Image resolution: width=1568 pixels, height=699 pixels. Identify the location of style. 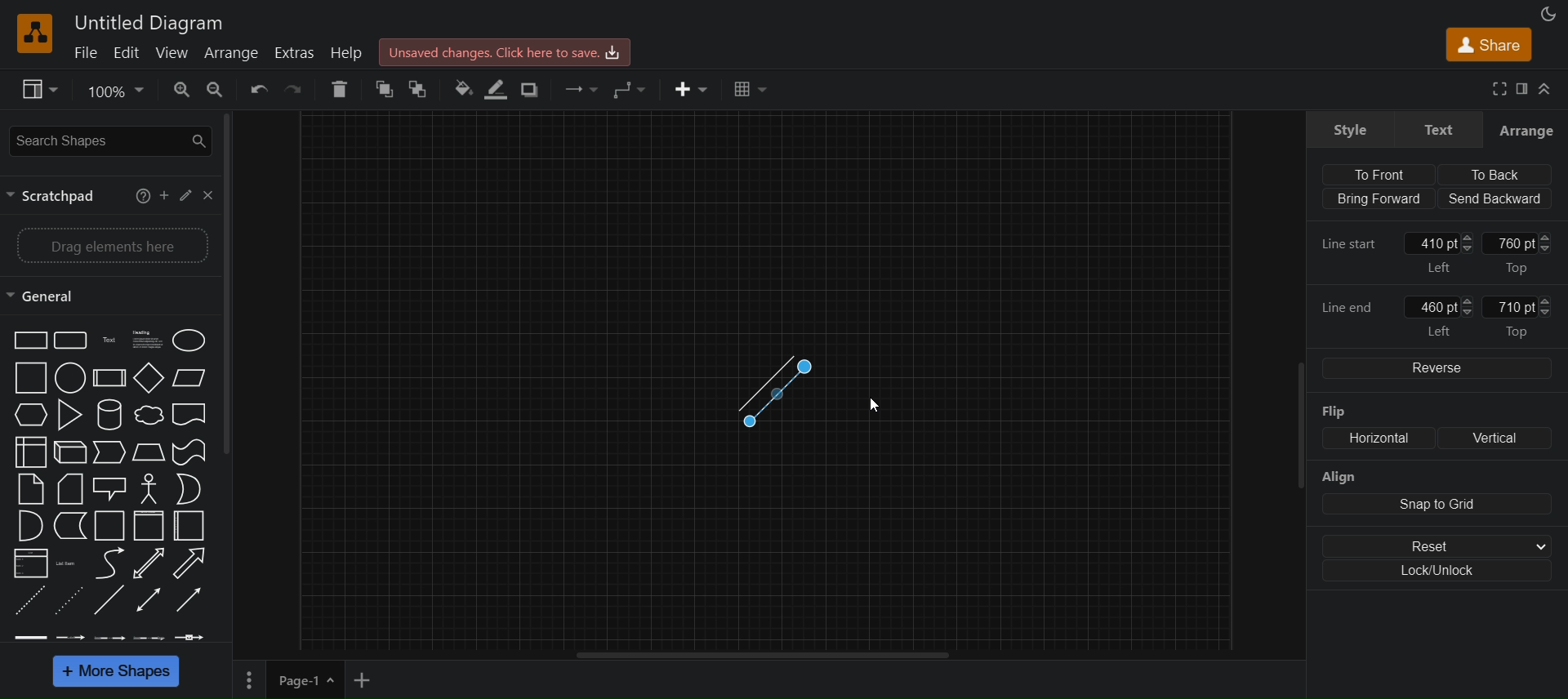
(1349, 127).